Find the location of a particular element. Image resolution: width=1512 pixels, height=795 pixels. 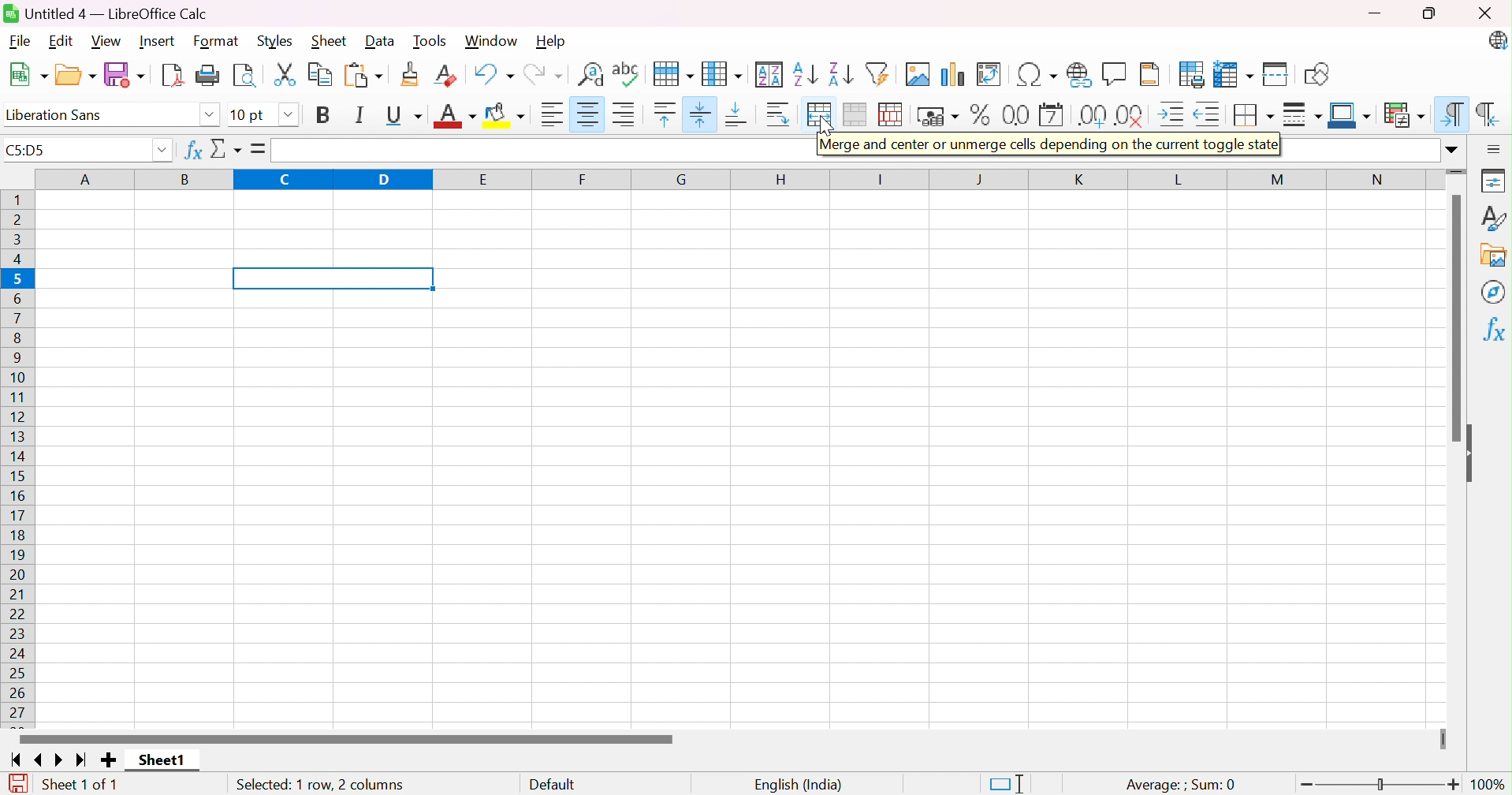

Format as Percent is located at coordinates (978, 116).